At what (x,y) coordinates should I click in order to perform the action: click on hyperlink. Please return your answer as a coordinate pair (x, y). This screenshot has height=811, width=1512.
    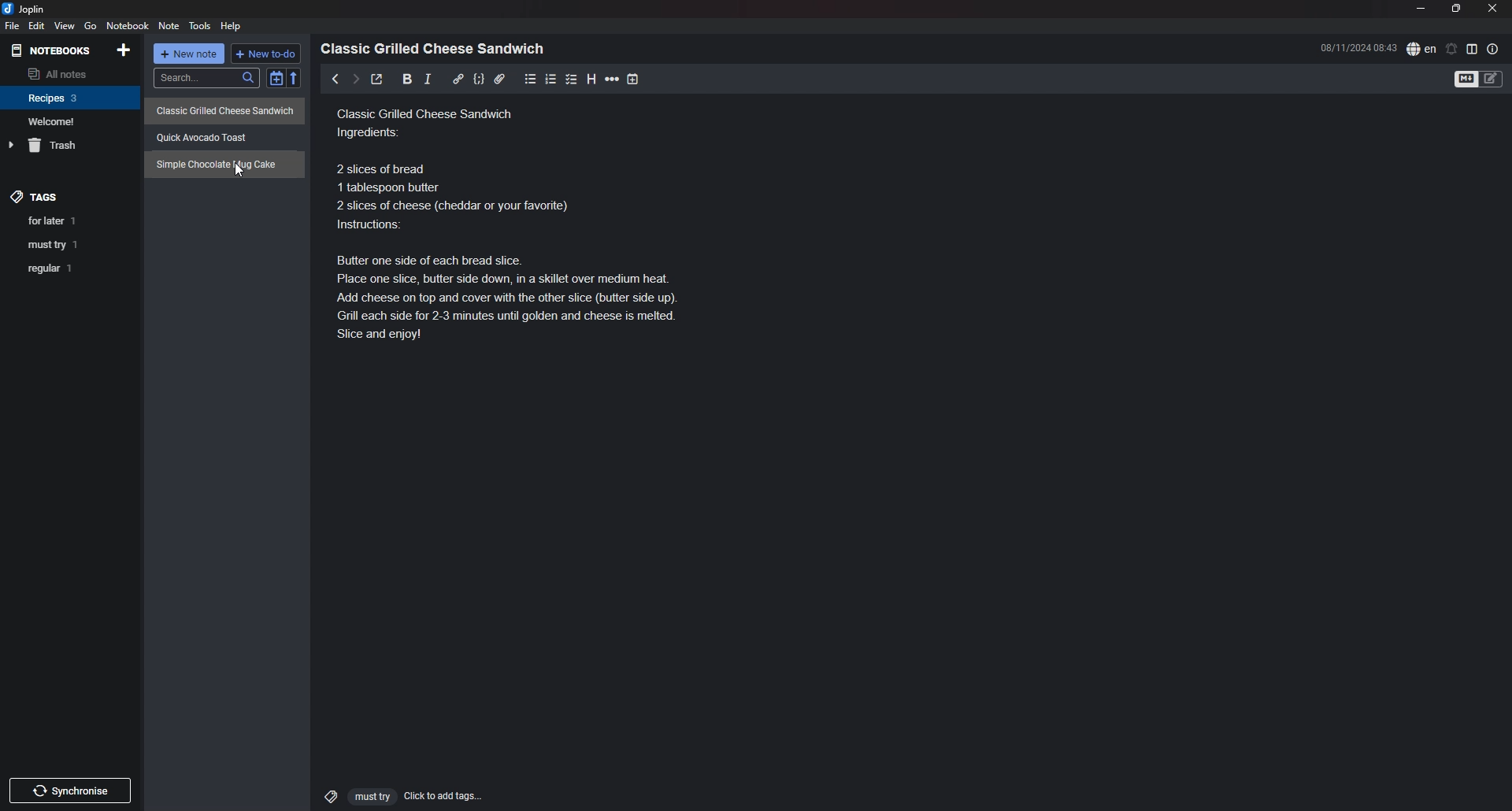
    Looking at the image, I should click on (458, 78).